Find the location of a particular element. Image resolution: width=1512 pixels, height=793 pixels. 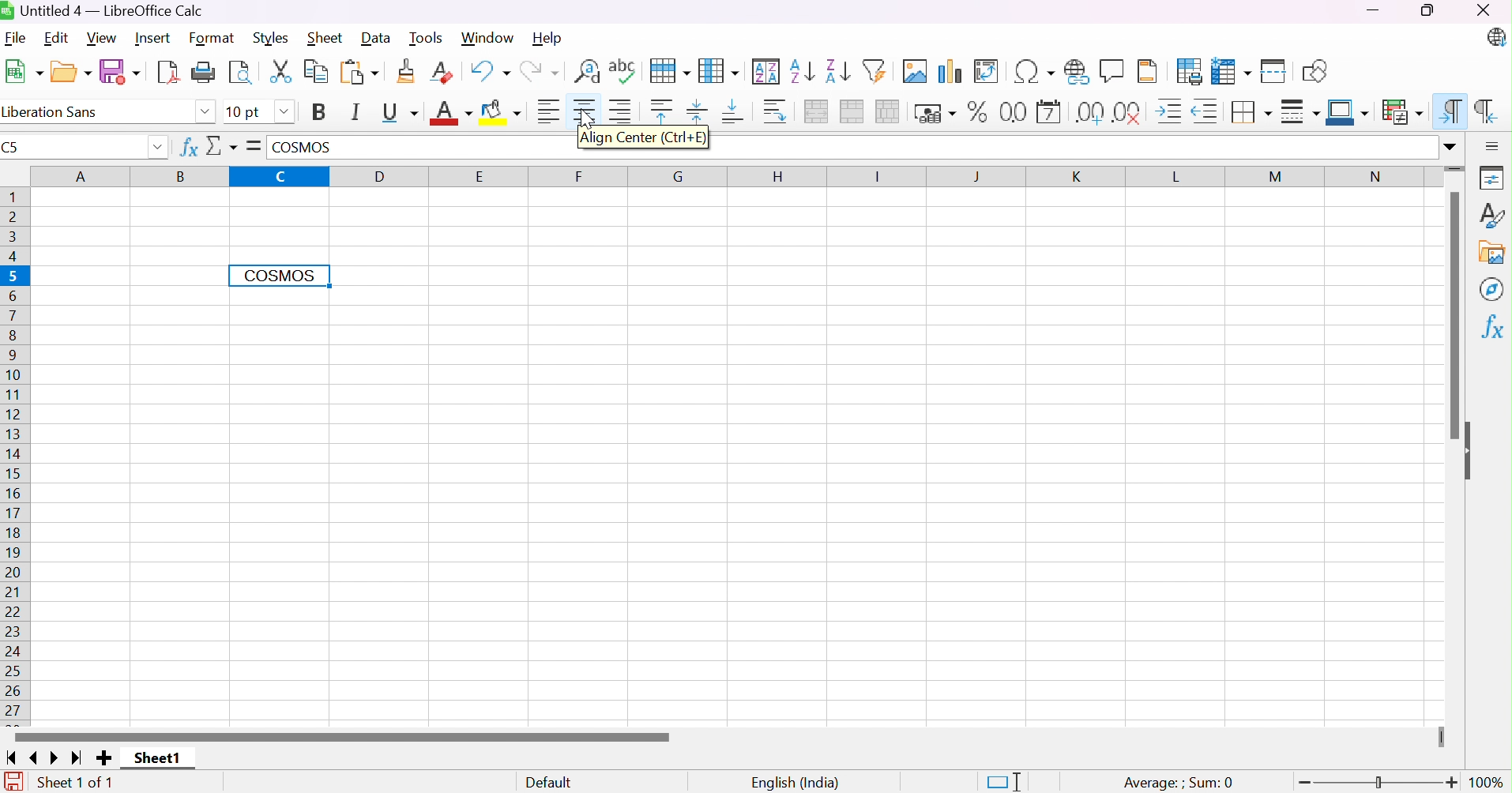

Wrap Text is located at coordinates (776, 111).